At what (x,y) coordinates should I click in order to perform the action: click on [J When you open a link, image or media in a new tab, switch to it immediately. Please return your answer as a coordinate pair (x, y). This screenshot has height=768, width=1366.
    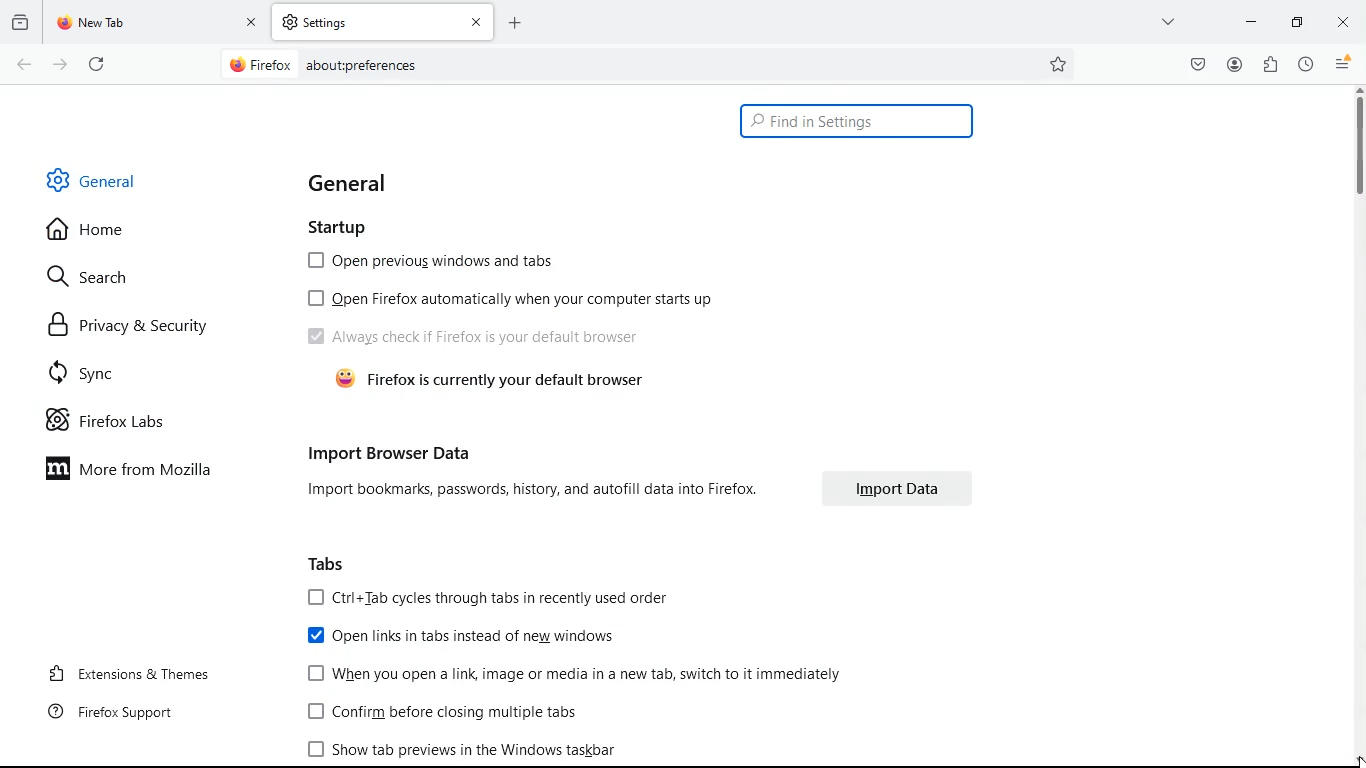
    Looking at the image, I should click on (573, 674).